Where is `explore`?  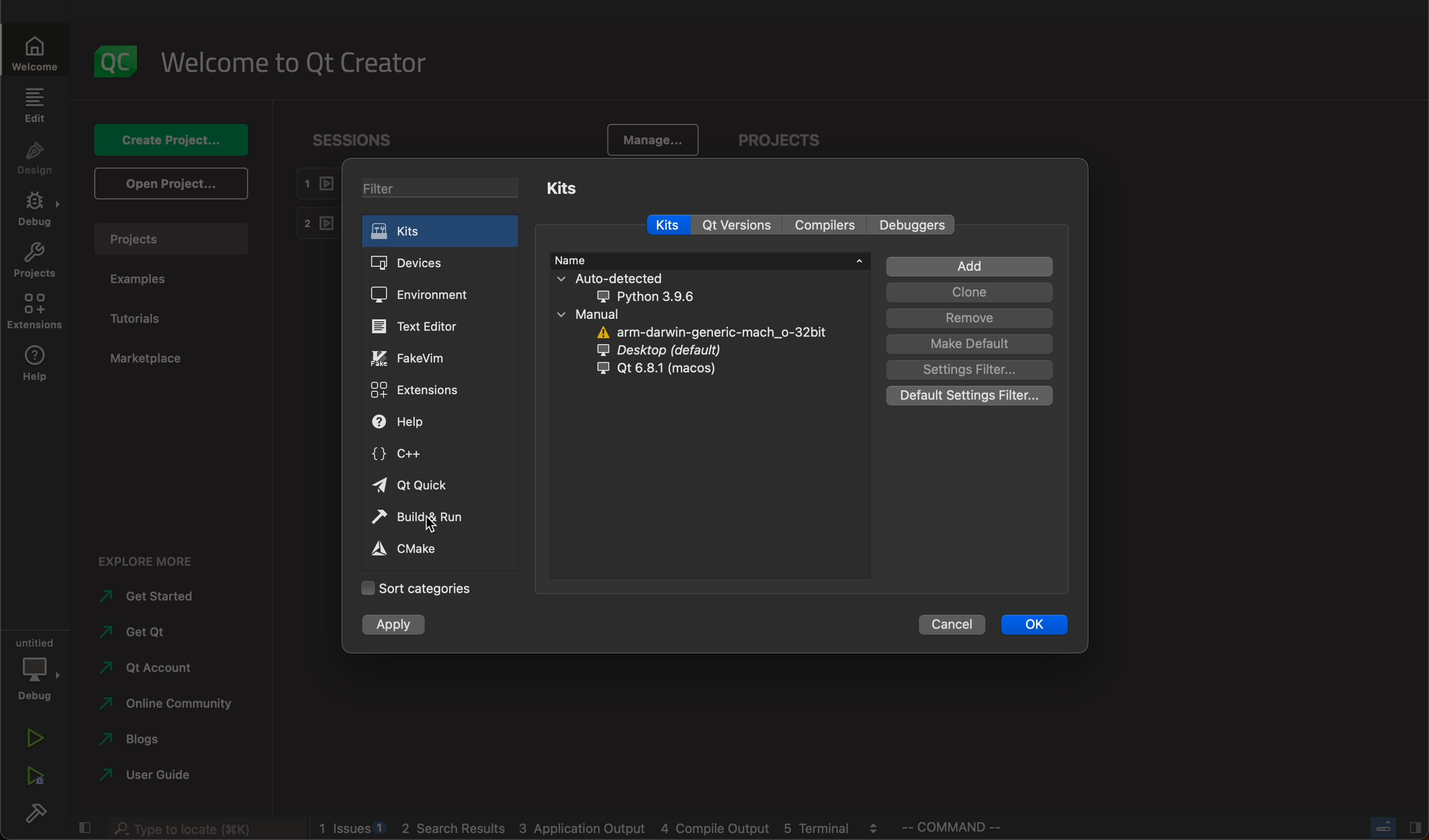 explore is located at coordinates (149, 561).